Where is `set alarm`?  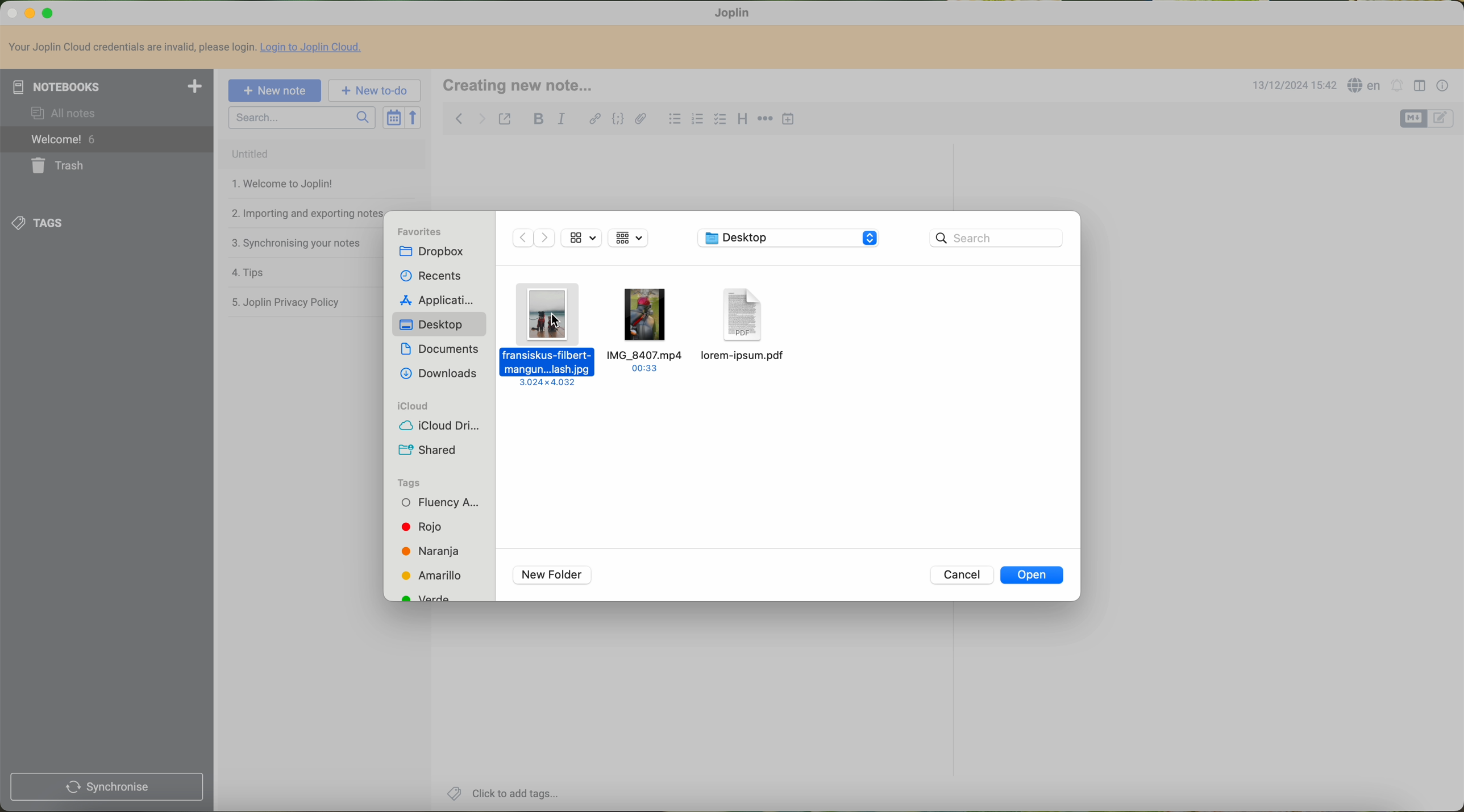
set alarm is located at coordinates (1397, 86).